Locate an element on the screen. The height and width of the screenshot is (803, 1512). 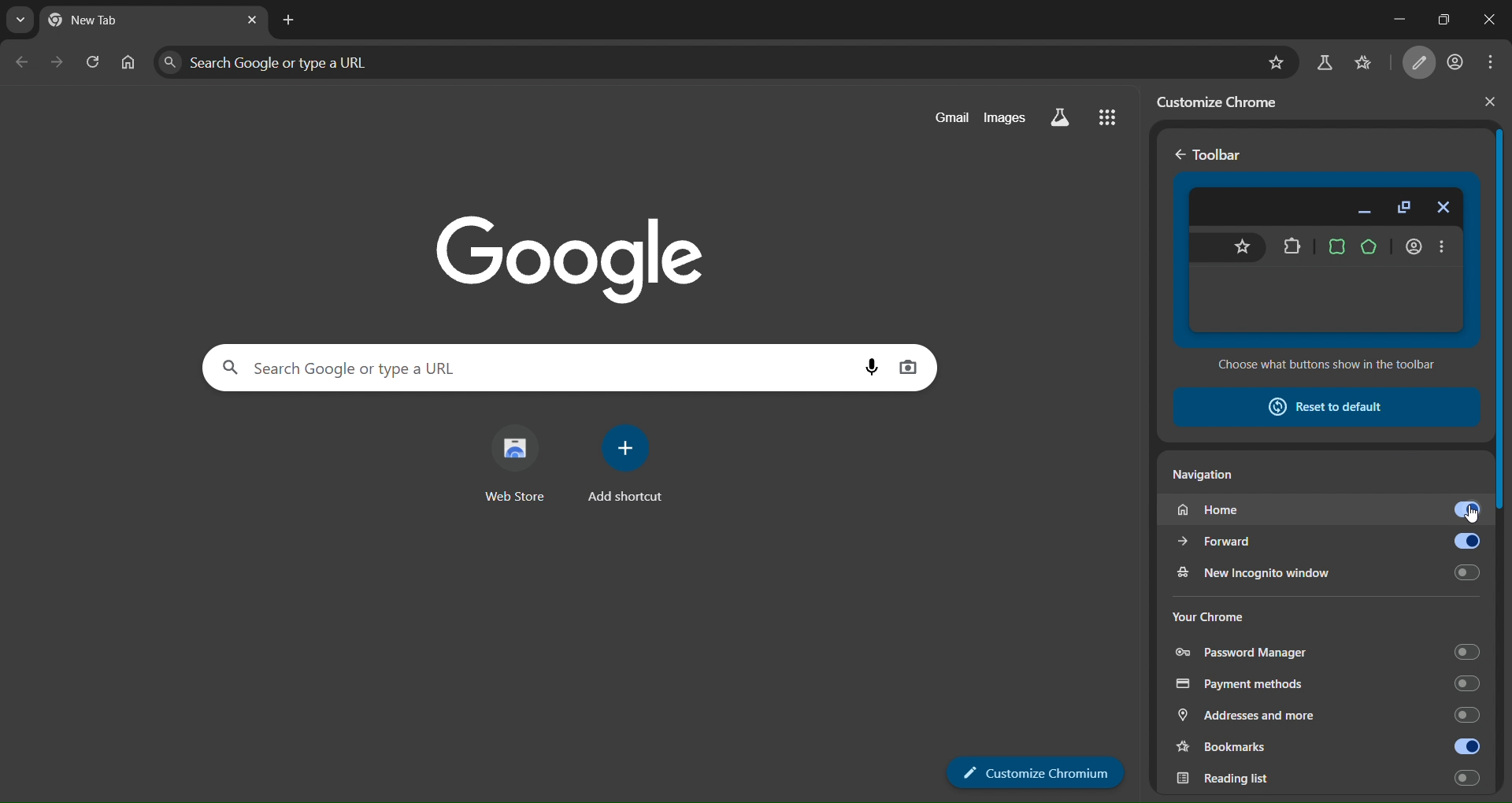
toolbar is located at coordinates (1328, 253).